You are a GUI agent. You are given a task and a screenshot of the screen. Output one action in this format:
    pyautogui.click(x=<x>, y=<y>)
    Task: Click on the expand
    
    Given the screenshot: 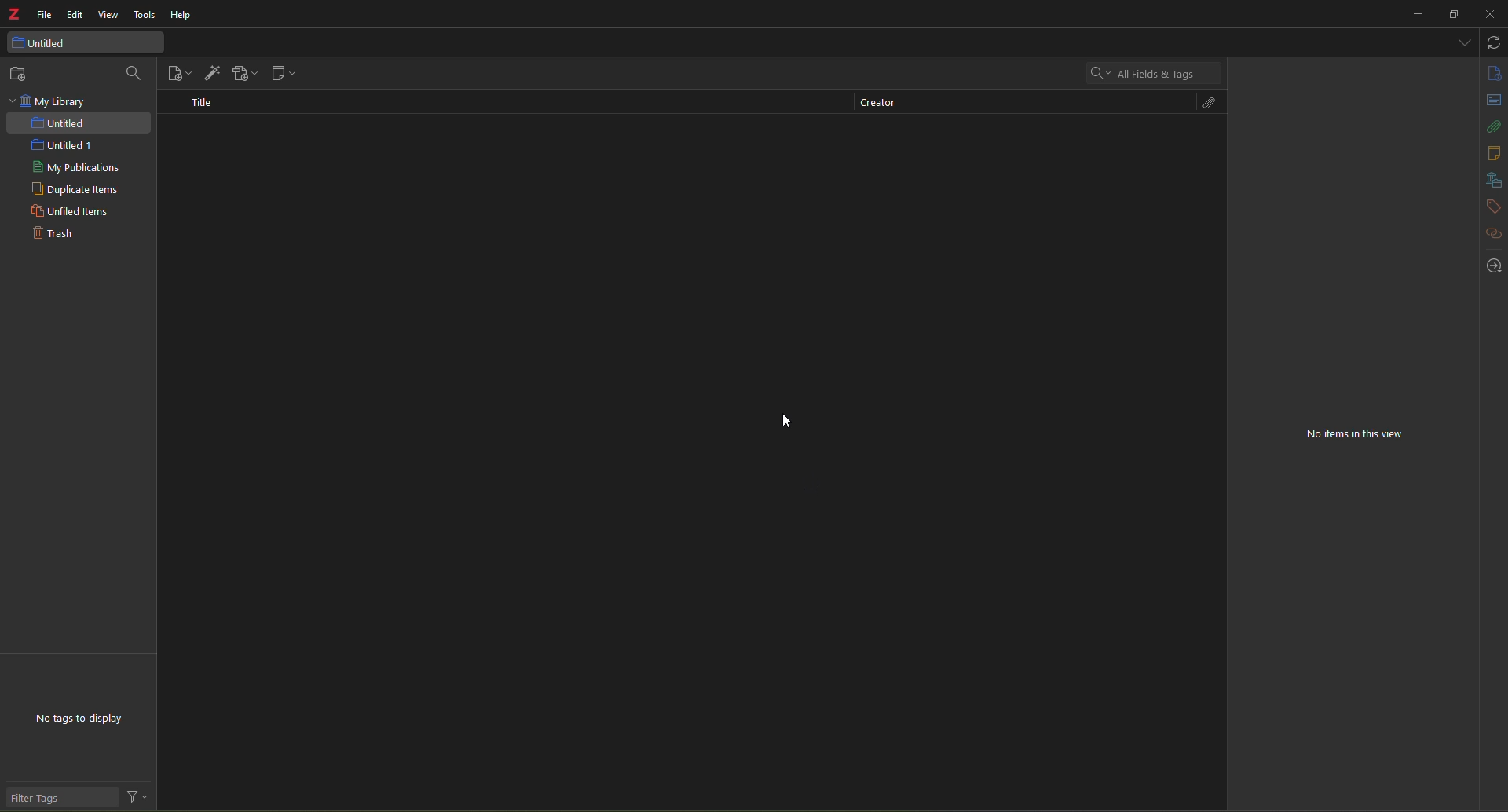 What is the action you would take?
    pyautogui.click(x=1467, y=181)
    